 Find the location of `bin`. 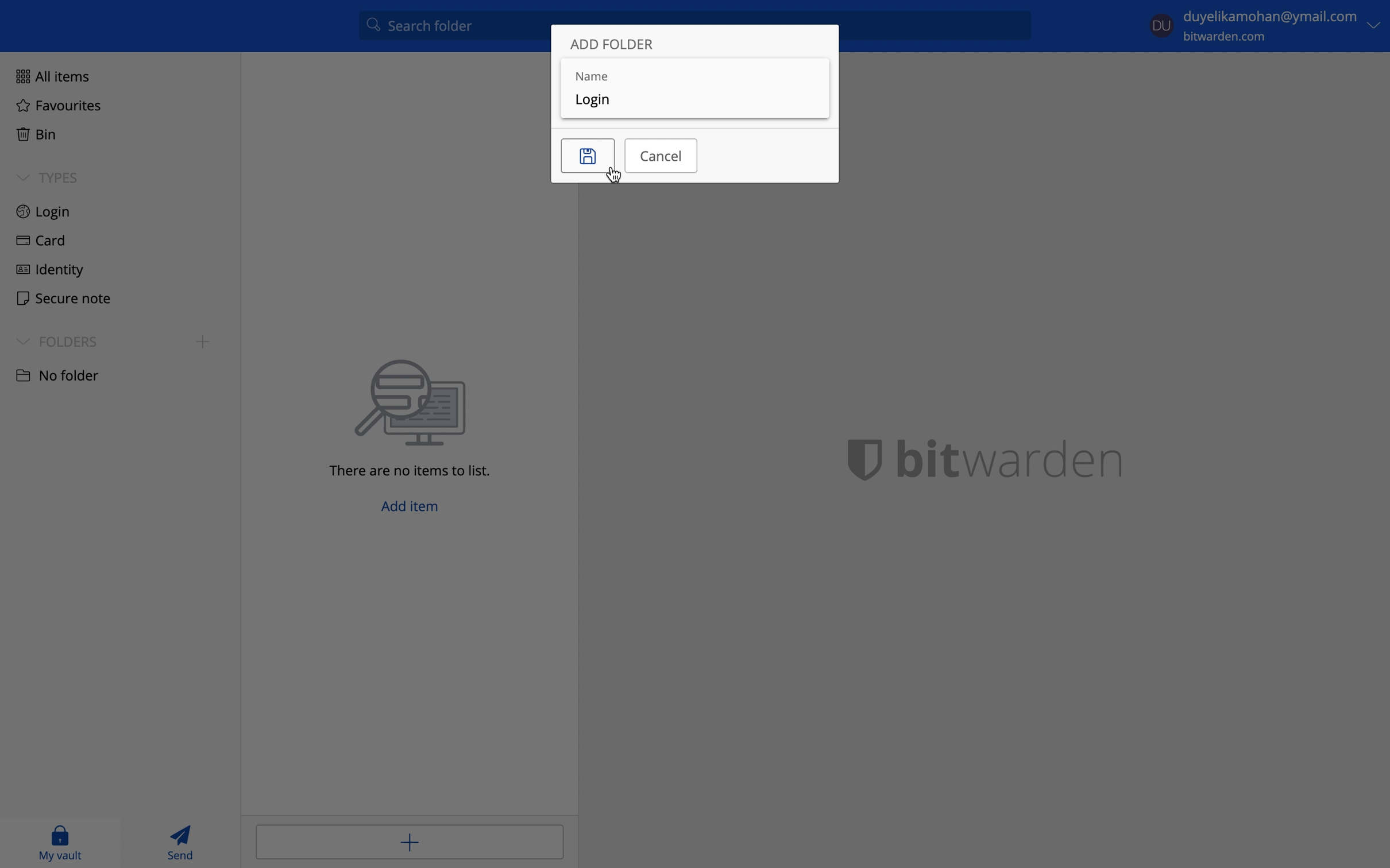

bin is located at coordinates (33, 132).